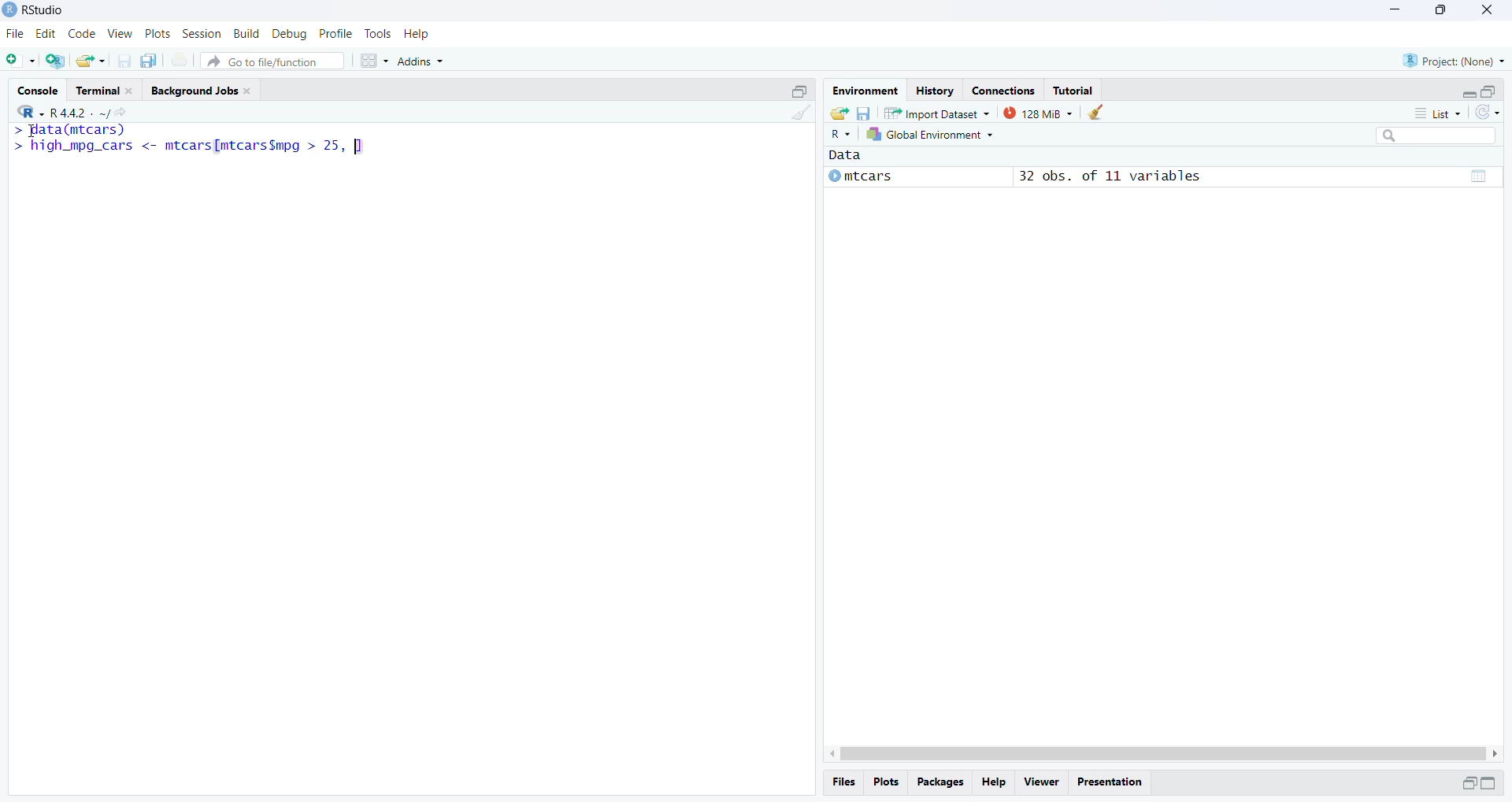  What do you see at coordinates (862, 112) in the screenshot?
I see `save` at bounding box center [862, 112].